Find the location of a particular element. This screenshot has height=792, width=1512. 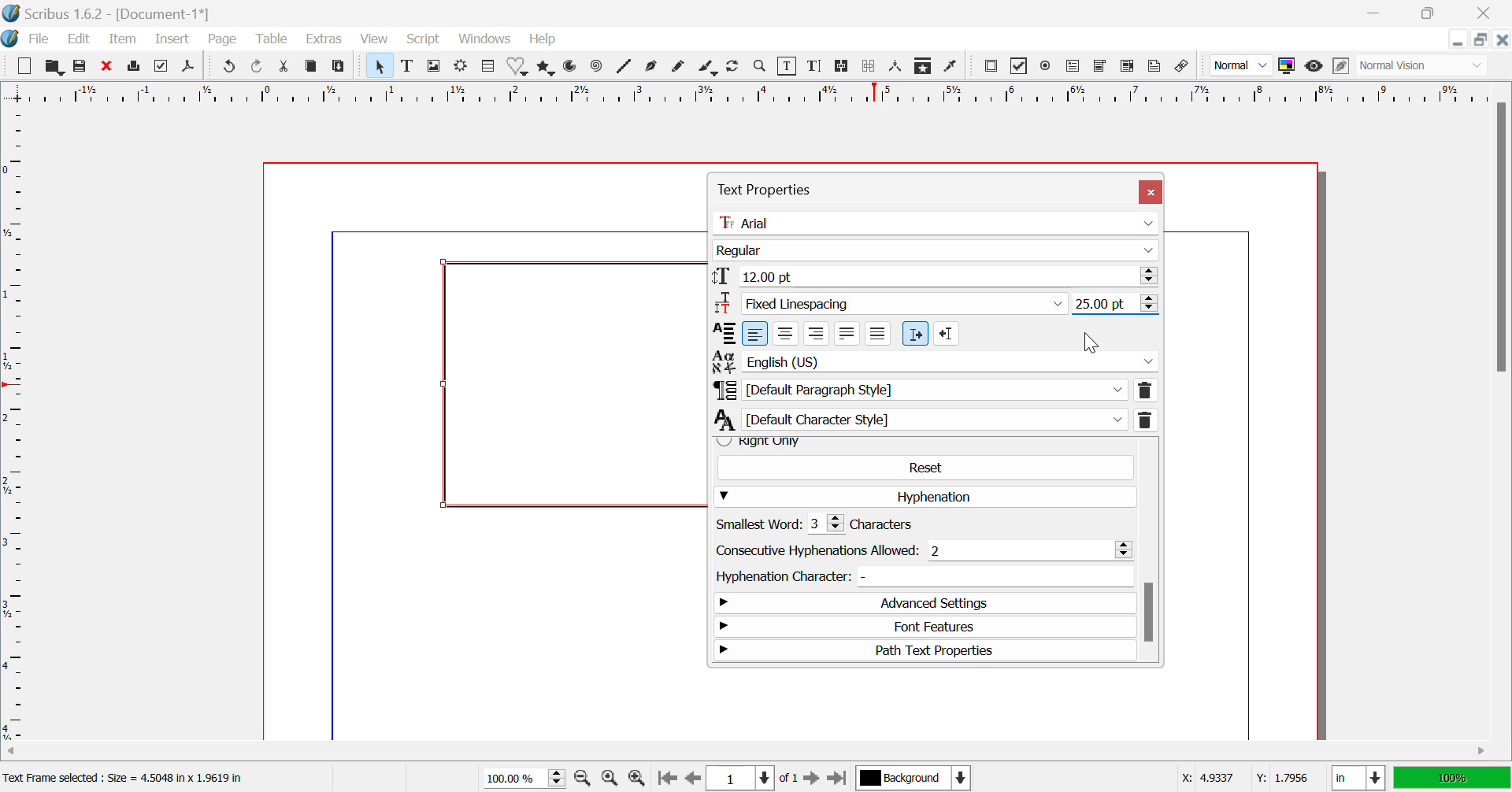

Lines is located at coordinates (624, 68).